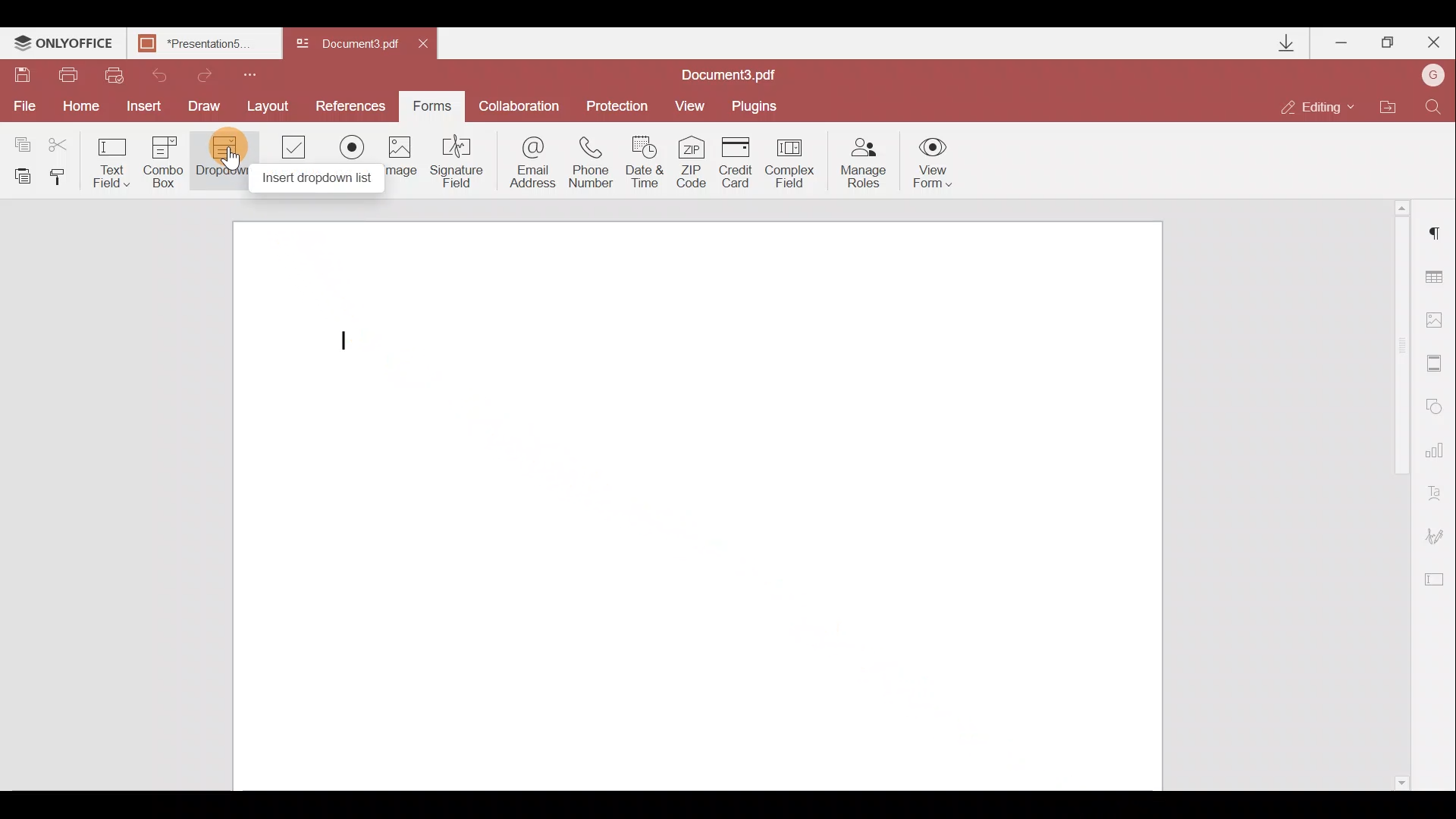  I want to click on Insert, so click(140, 103).